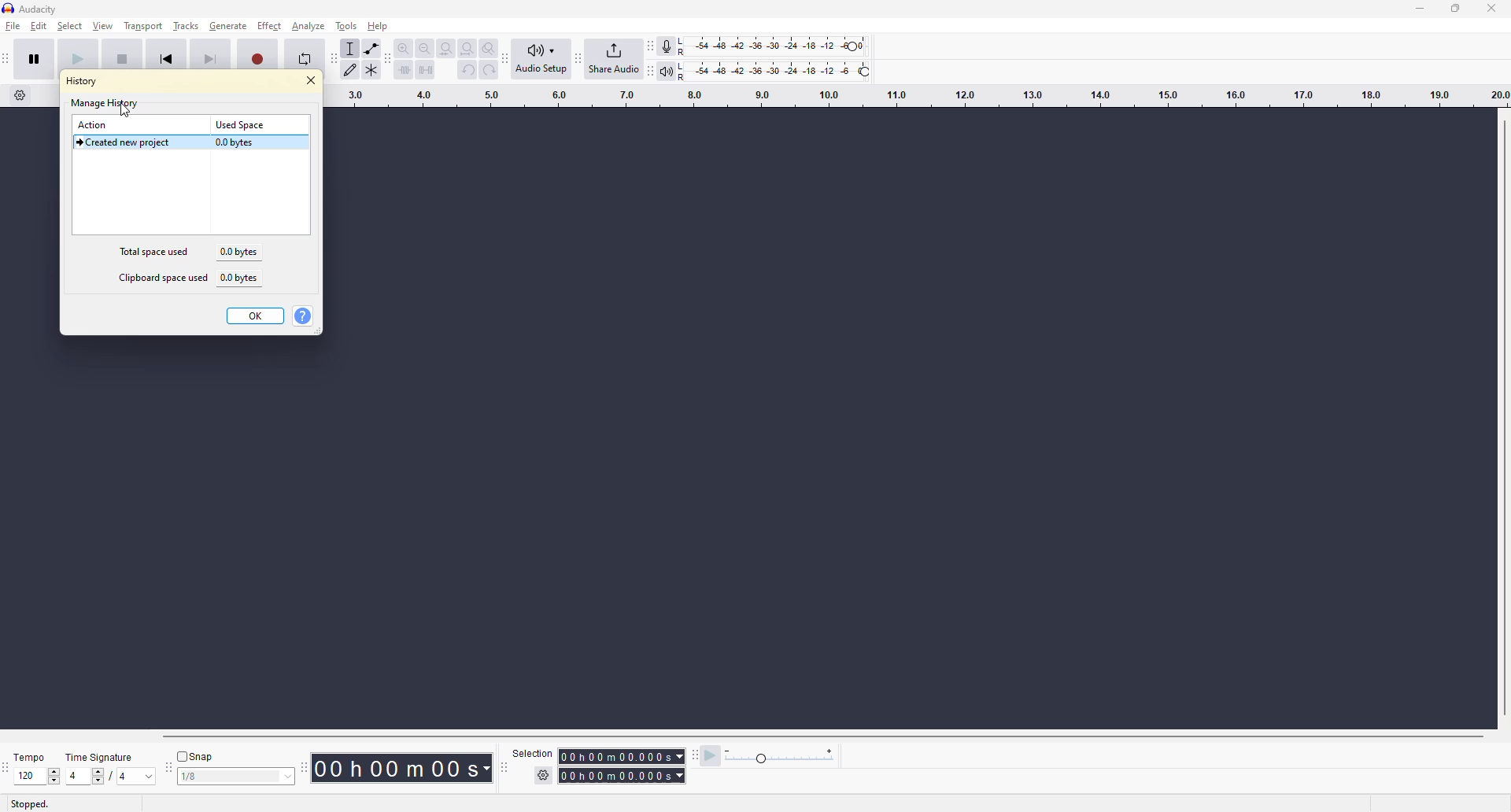 This screenshot has width=1511, height=812. Describe the element at coordinates (375, 72) in the screenshot. I see `multi tool` at that location.